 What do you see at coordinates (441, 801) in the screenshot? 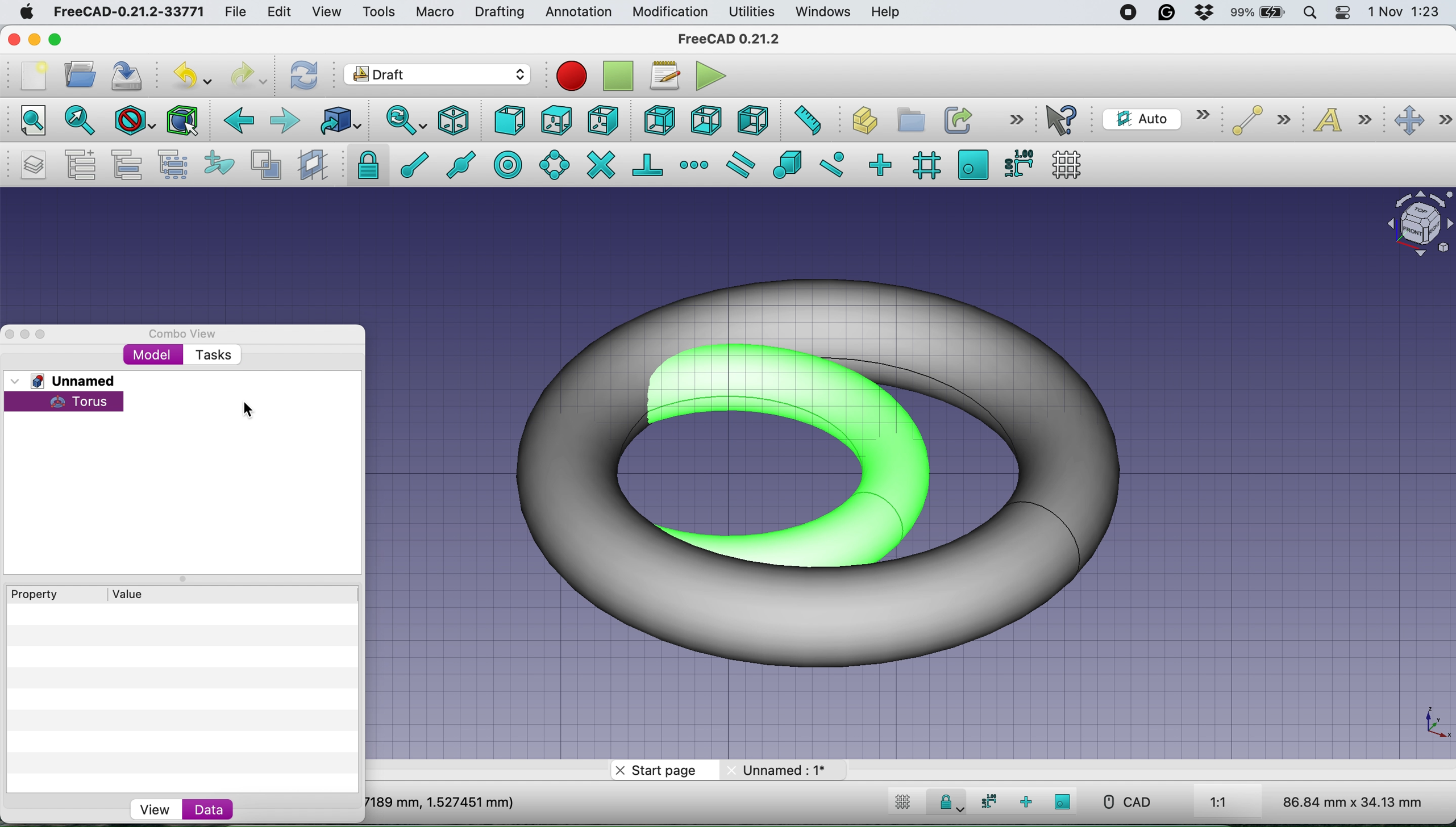
I see `7189 mm, 1.527451 mm)` at bounding box center [441, 801].